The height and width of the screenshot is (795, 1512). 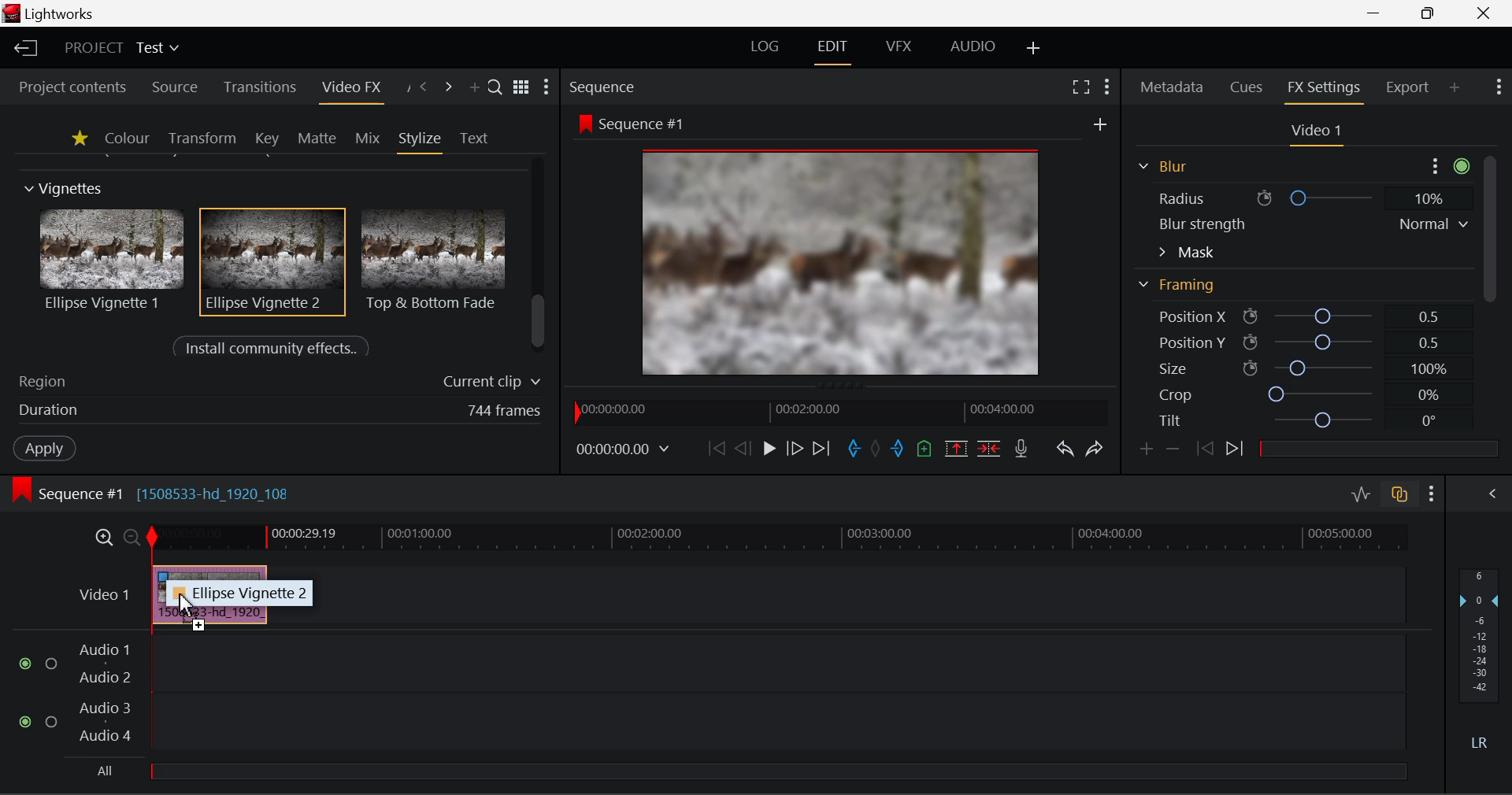 What do you see at coordinates (1482, 13) in the screenshot?
I see `Close` at bounding box center [1482, 13].